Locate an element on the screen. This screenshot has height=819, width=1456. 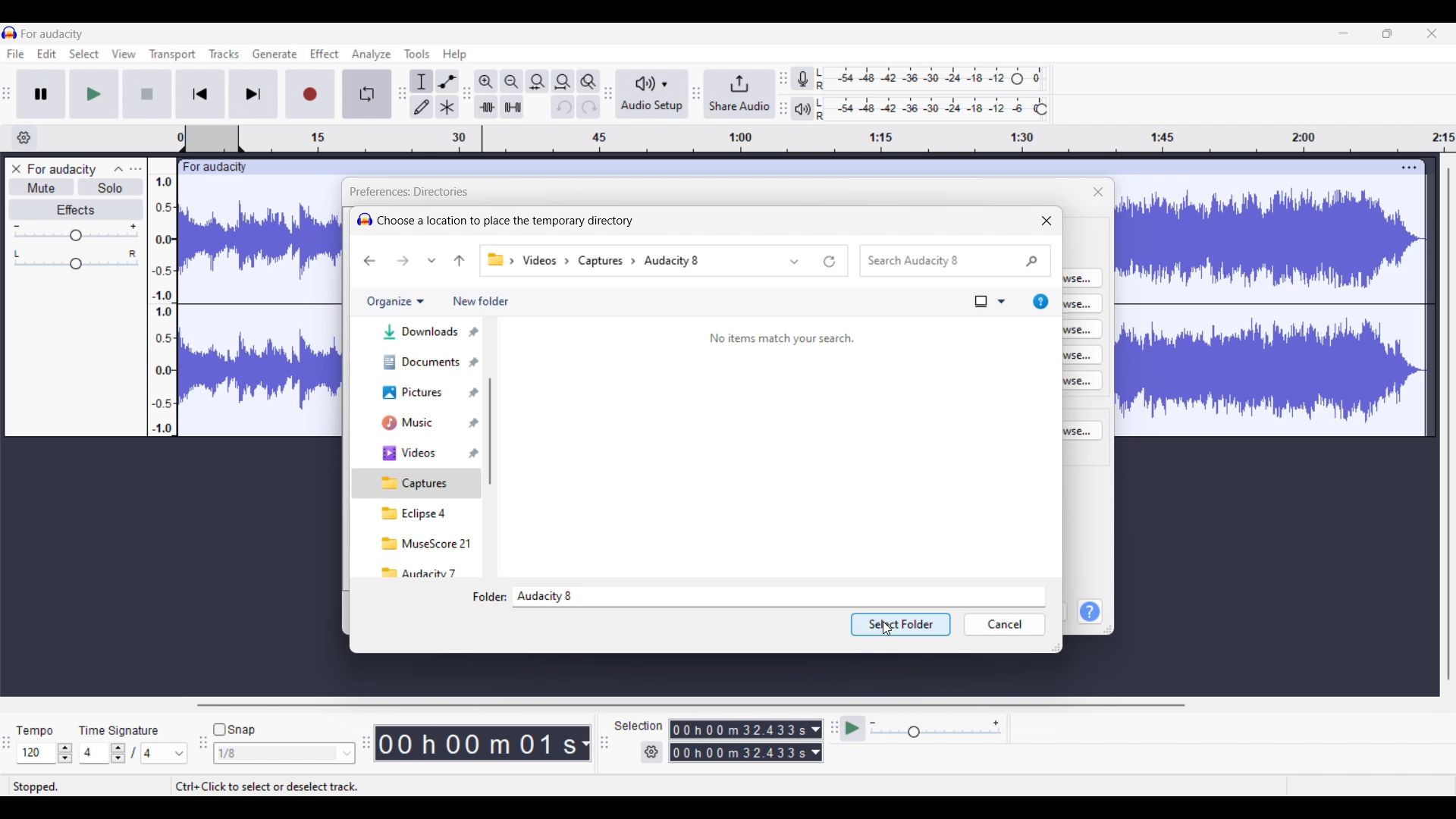
Vertical scroll bar is located at coordinates (490, 431).